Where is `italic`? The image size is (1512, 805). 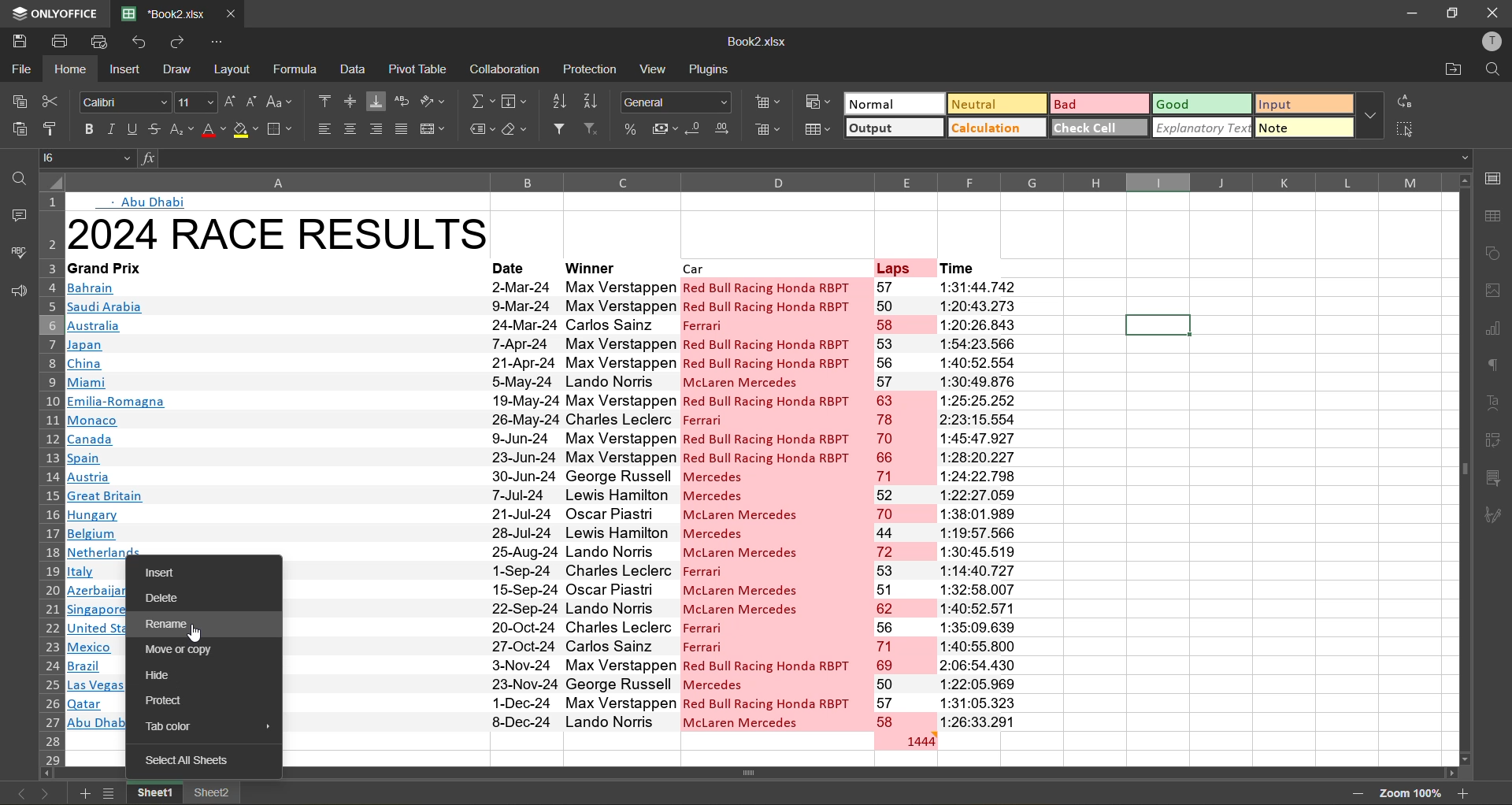 italic is located at coordinates (111, 128).